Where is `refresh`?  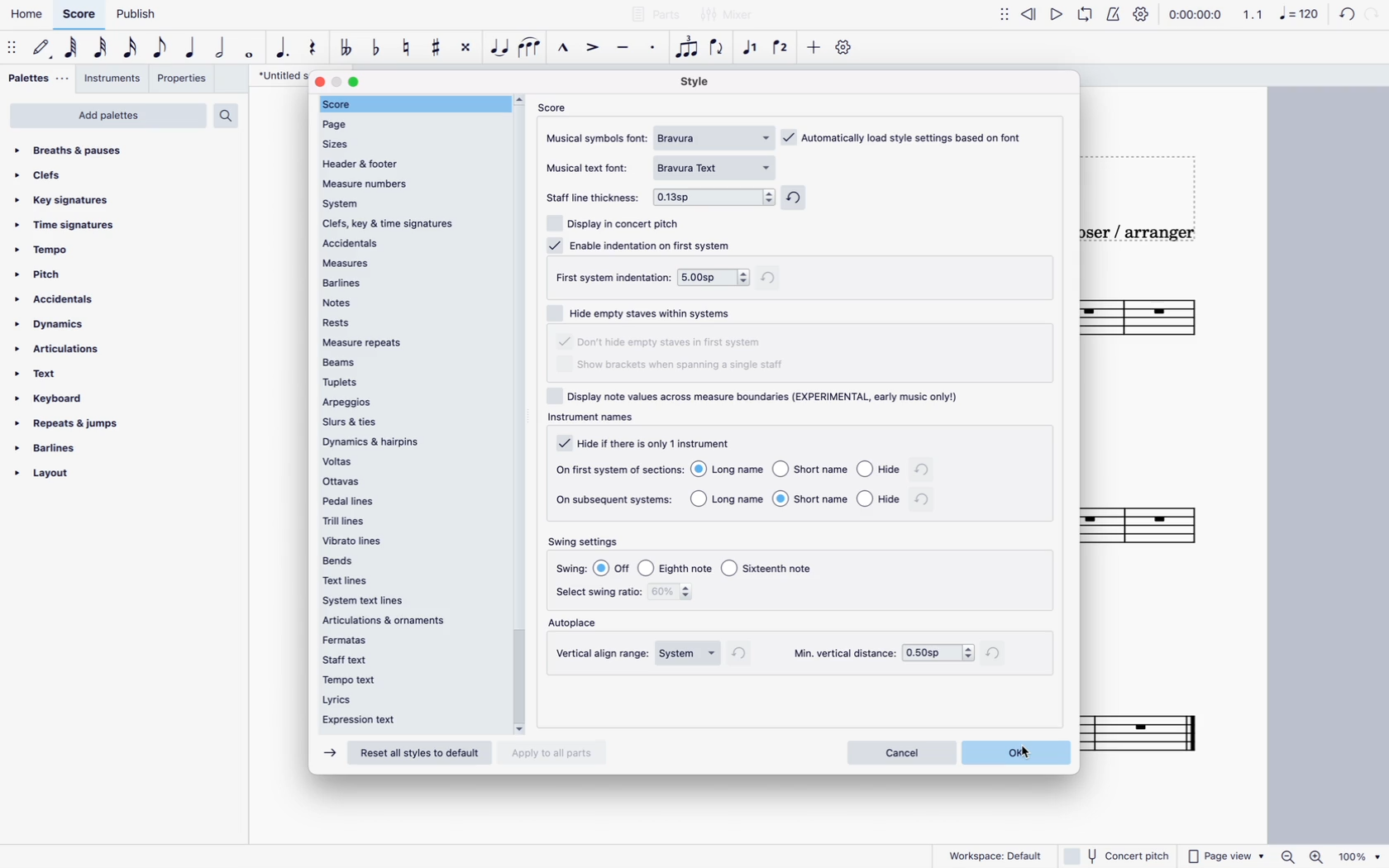
refresh is located at coordinates (798, 199).